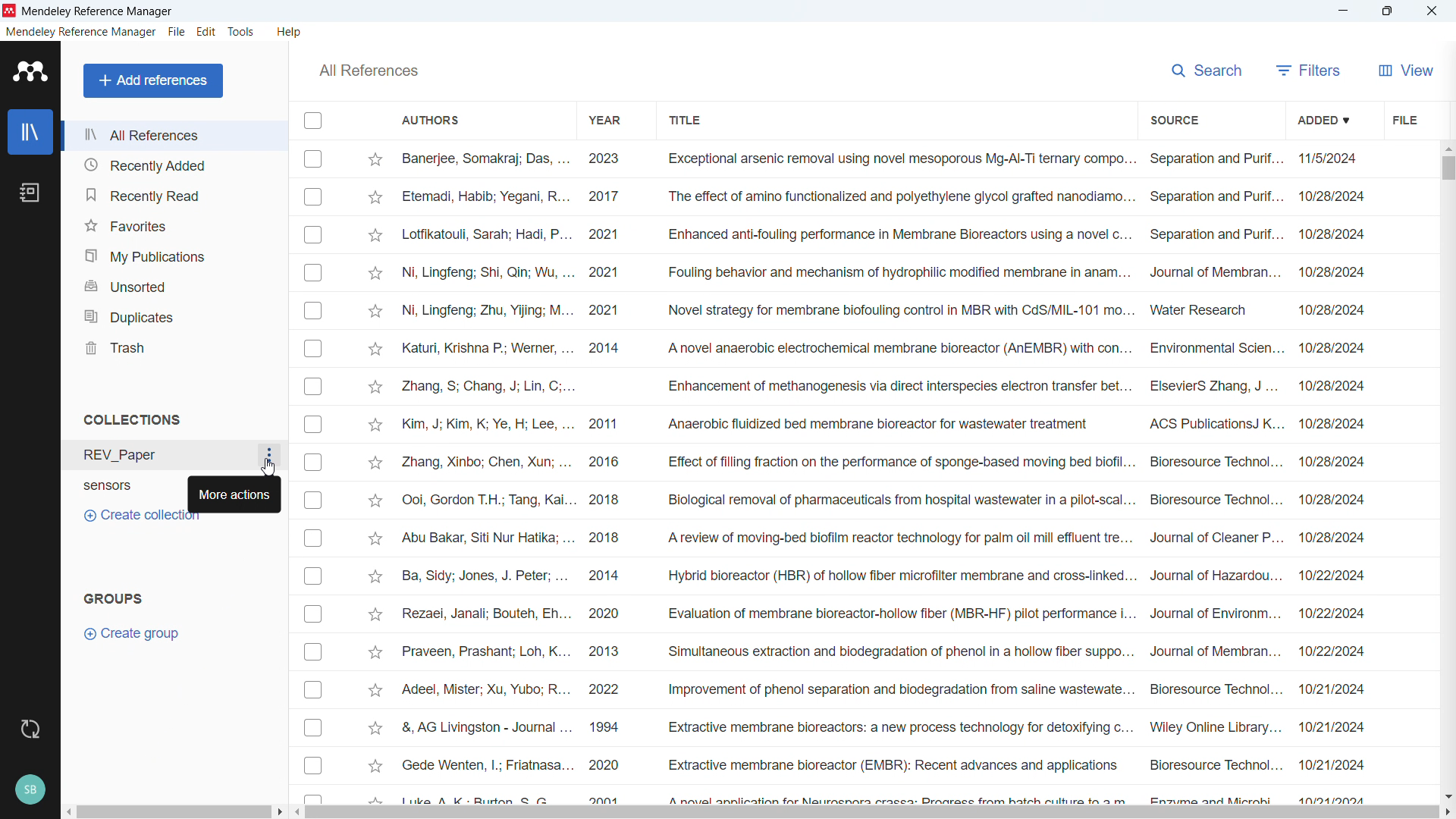 This screenshot has height=819, width=1456. Describe the element at coordinates (99, 11) in the screenshot. I see `Mendeley reference manager` at that location.